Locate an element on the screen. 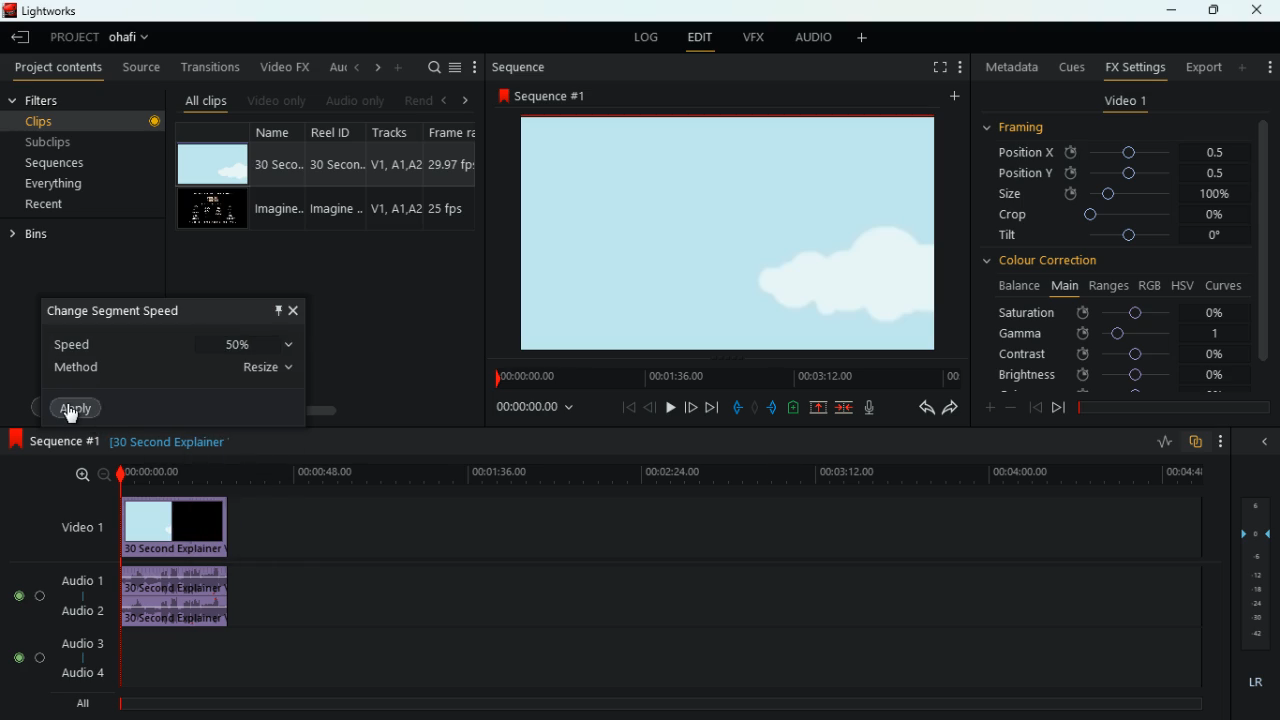  back is located at coordinates (919, 408).